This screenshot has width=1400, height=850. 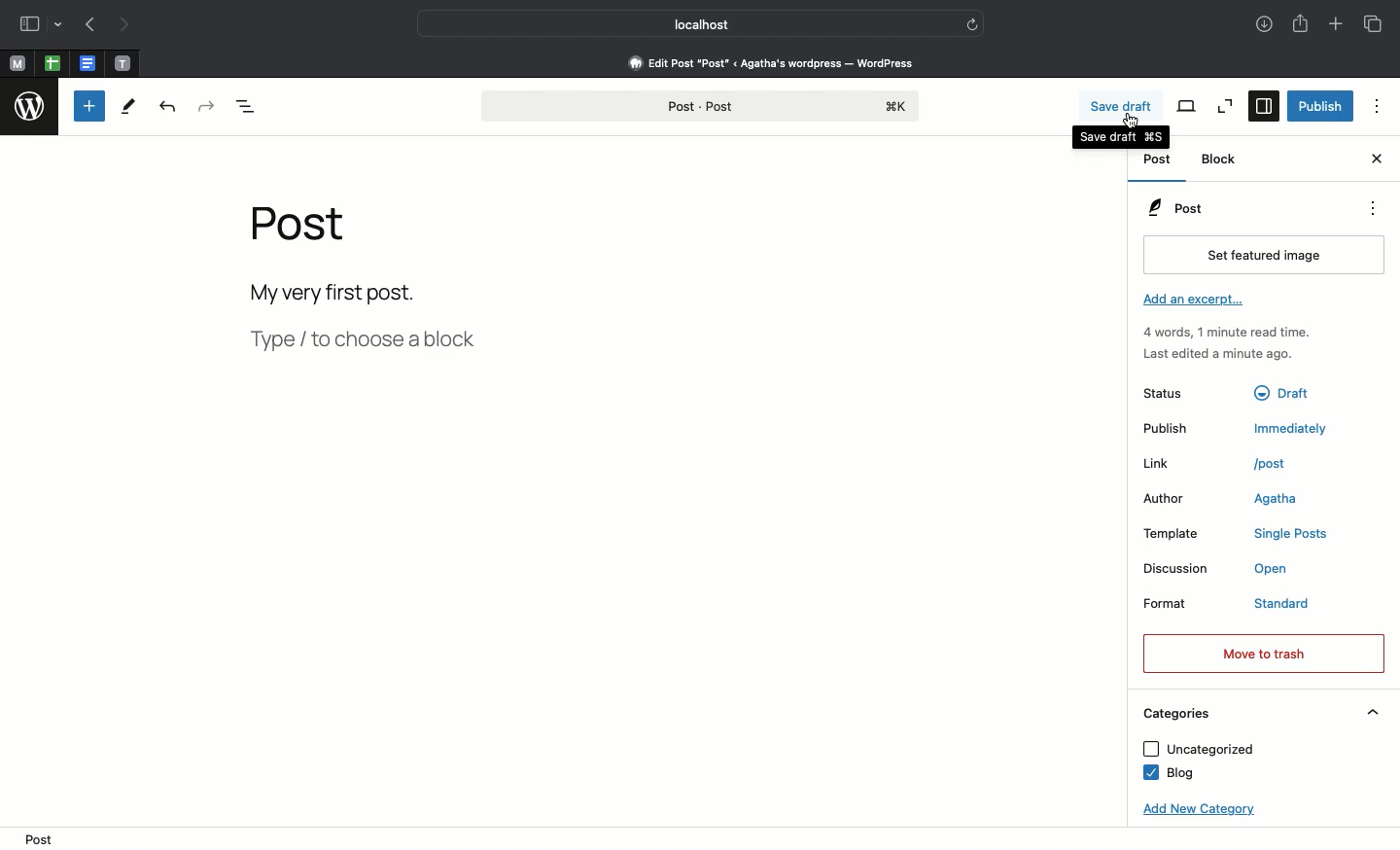 I want to click on Format, so click(x=1182, y=607).